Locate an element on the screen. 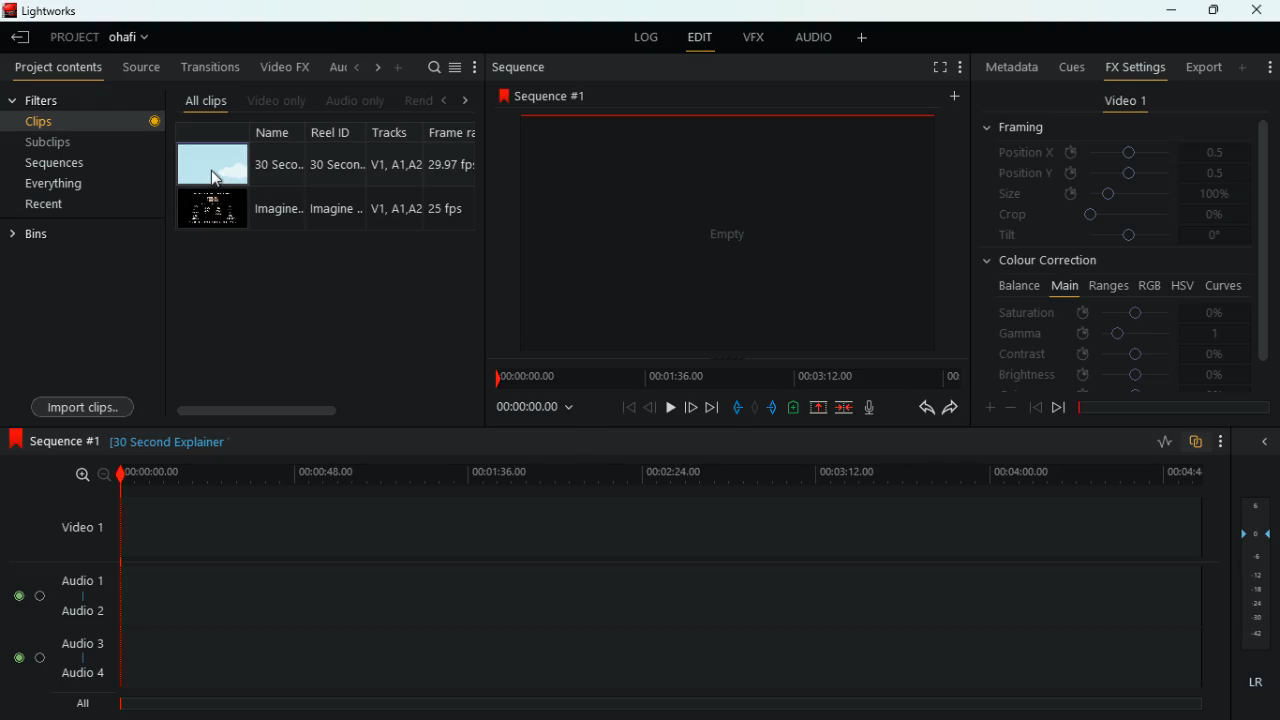  more is located at coordinates (475, 66).